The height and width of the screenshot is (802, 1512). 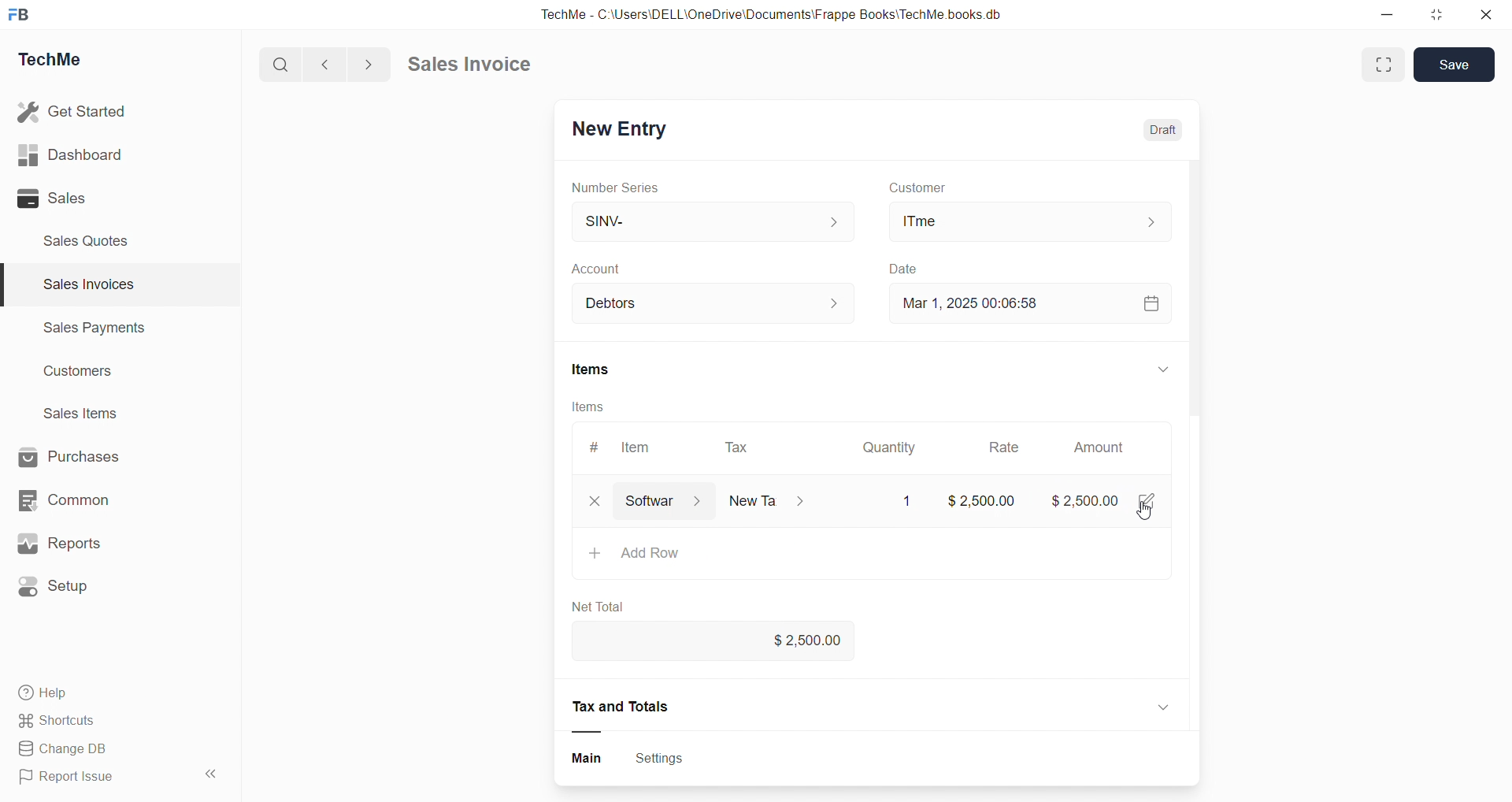 What do you see at coordinates (1161, 704) in the screenshot?
I see `Dropdown` at bounding box center [1161, 704].